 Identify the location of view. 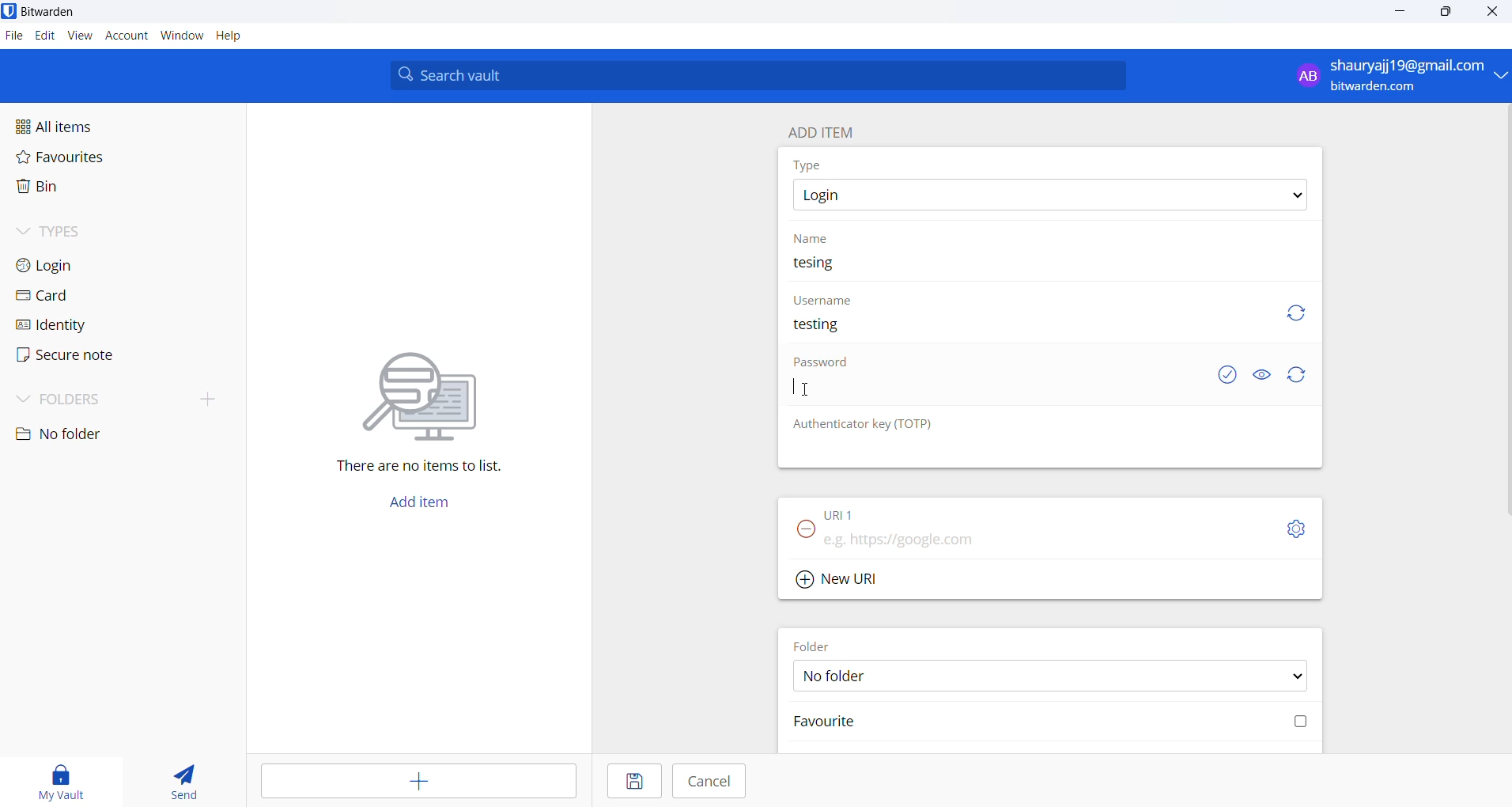
(80, 39).